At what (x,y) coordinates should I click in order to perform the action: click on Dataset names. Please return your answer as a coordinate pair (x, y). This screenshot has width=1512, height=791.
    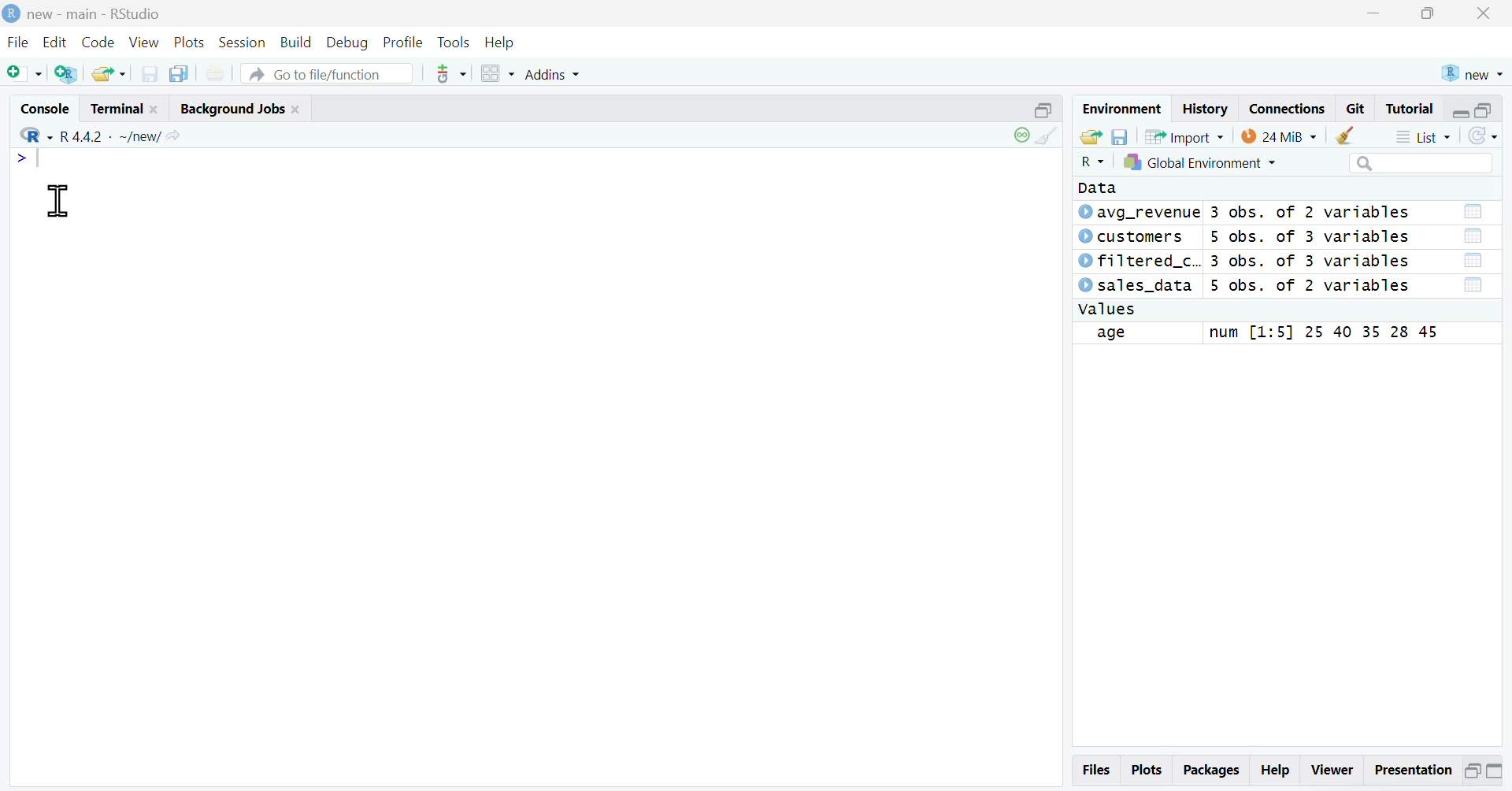
    Looking at the image, I should click on (1138, 249).